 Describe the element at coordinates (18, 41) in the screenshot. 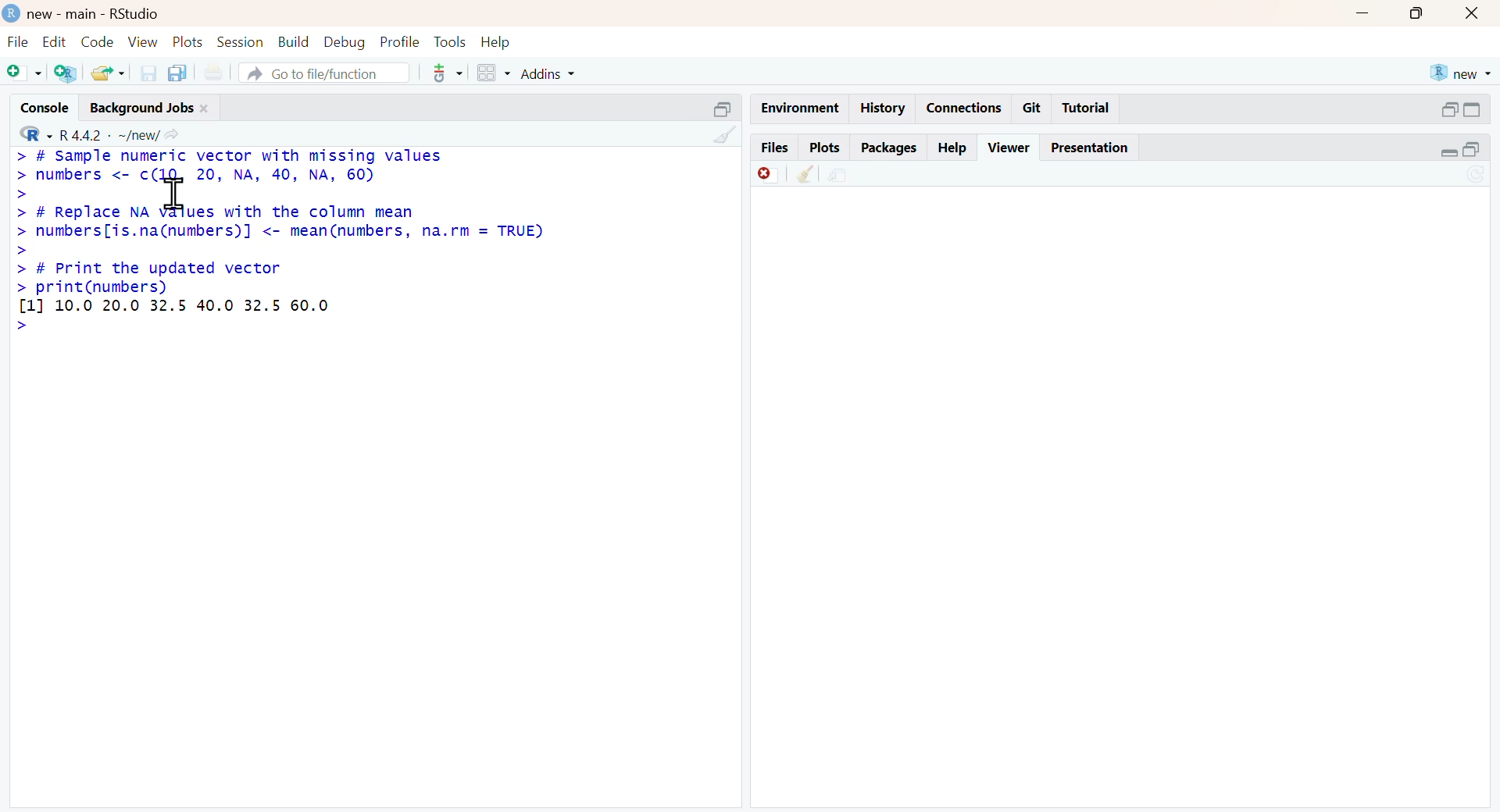

I see `file` at that location.